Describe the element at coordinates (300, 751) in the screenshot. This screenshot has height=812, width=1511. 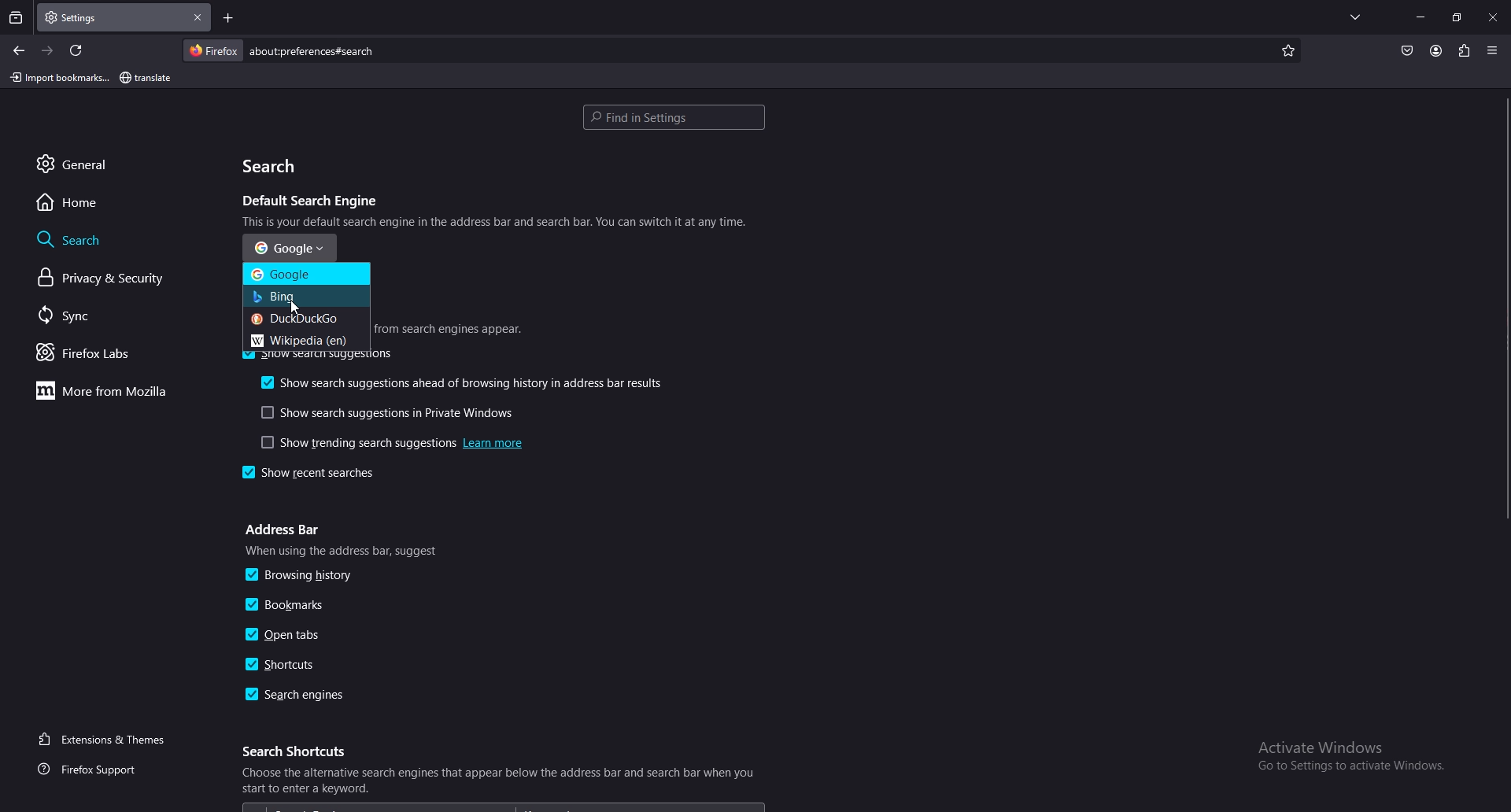
I see `search shortcuts` at that location.